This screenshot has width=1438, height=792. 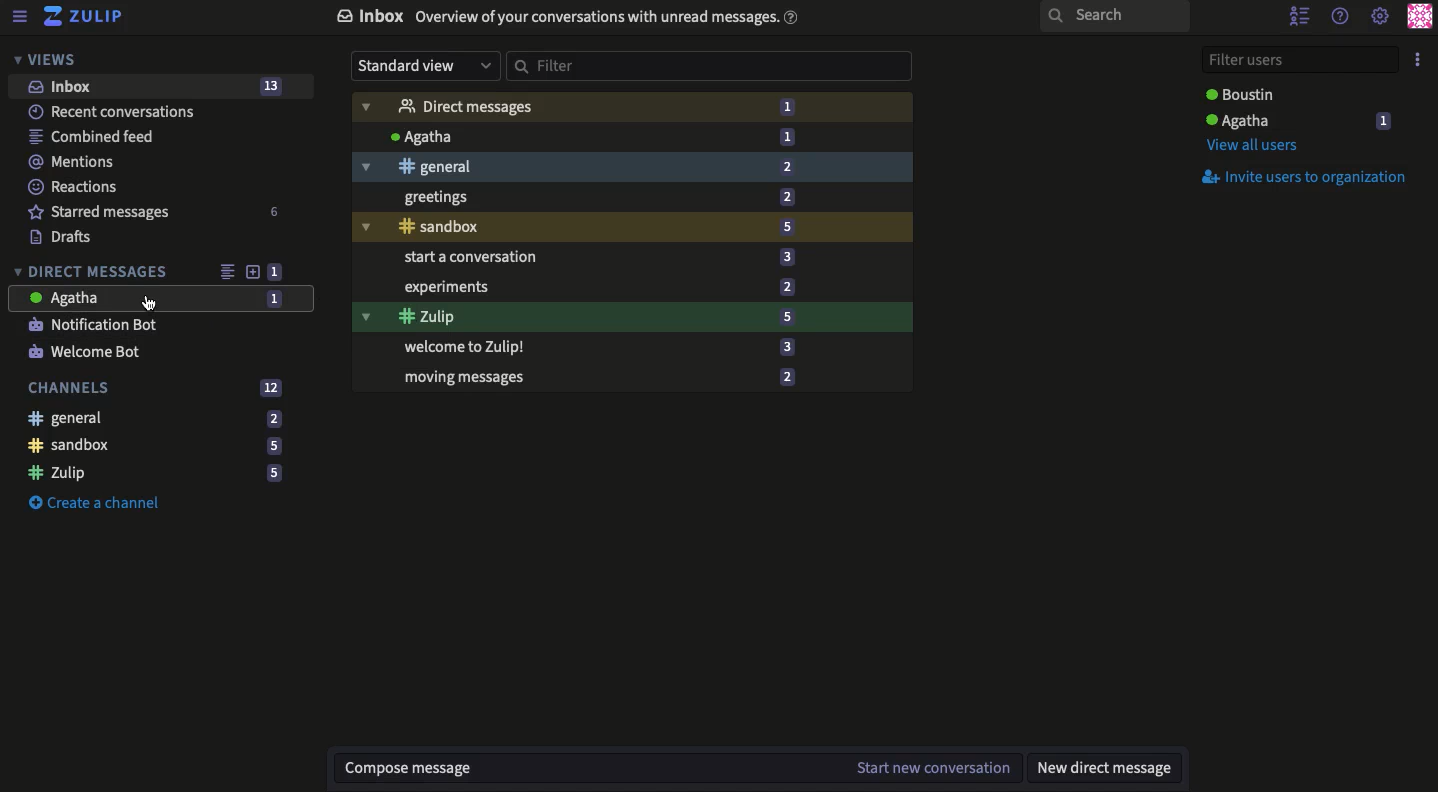 I want to click on Menu, so click(x=20, y=18).